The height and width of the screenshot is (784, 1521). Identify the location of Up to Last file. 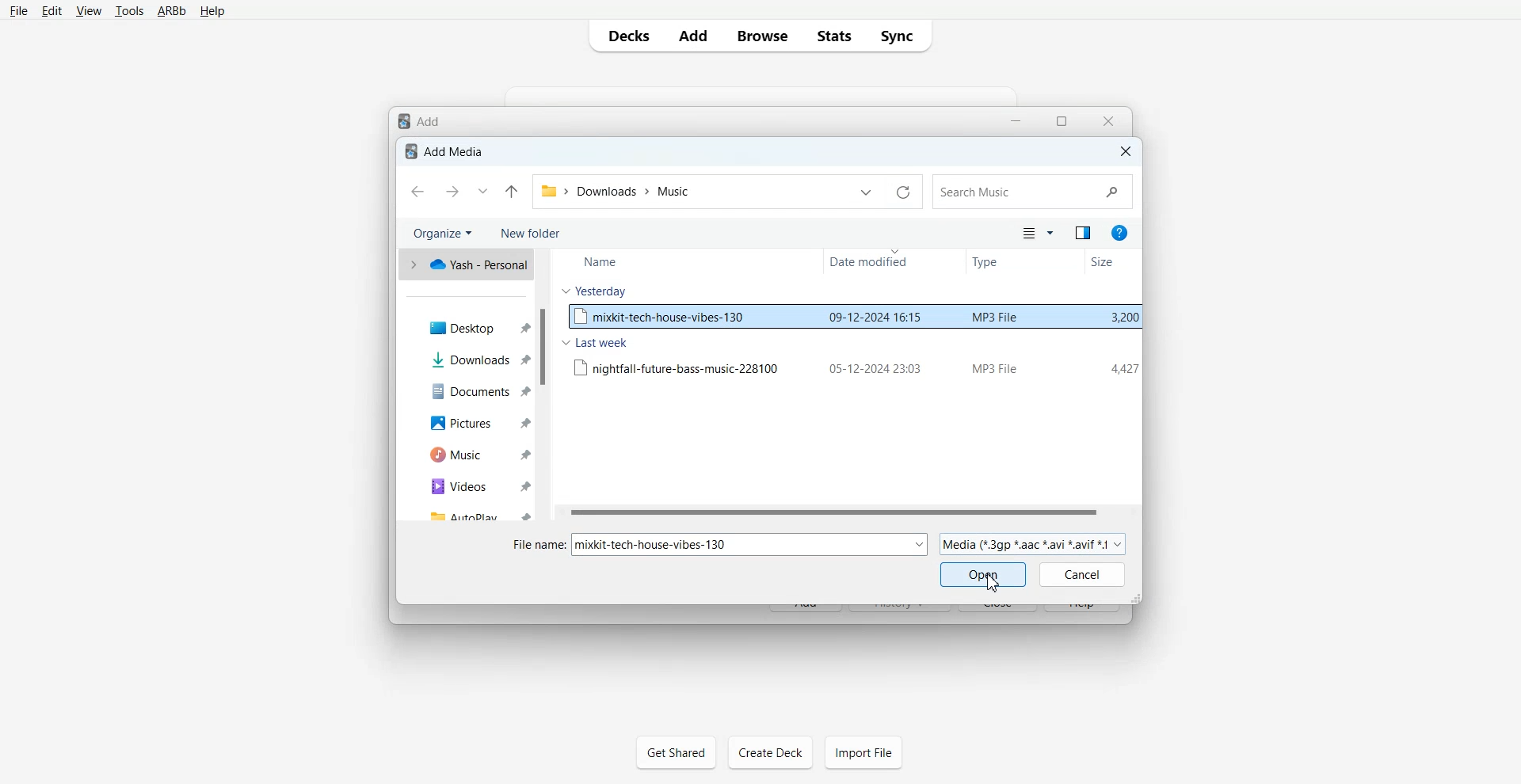
(513, 191).